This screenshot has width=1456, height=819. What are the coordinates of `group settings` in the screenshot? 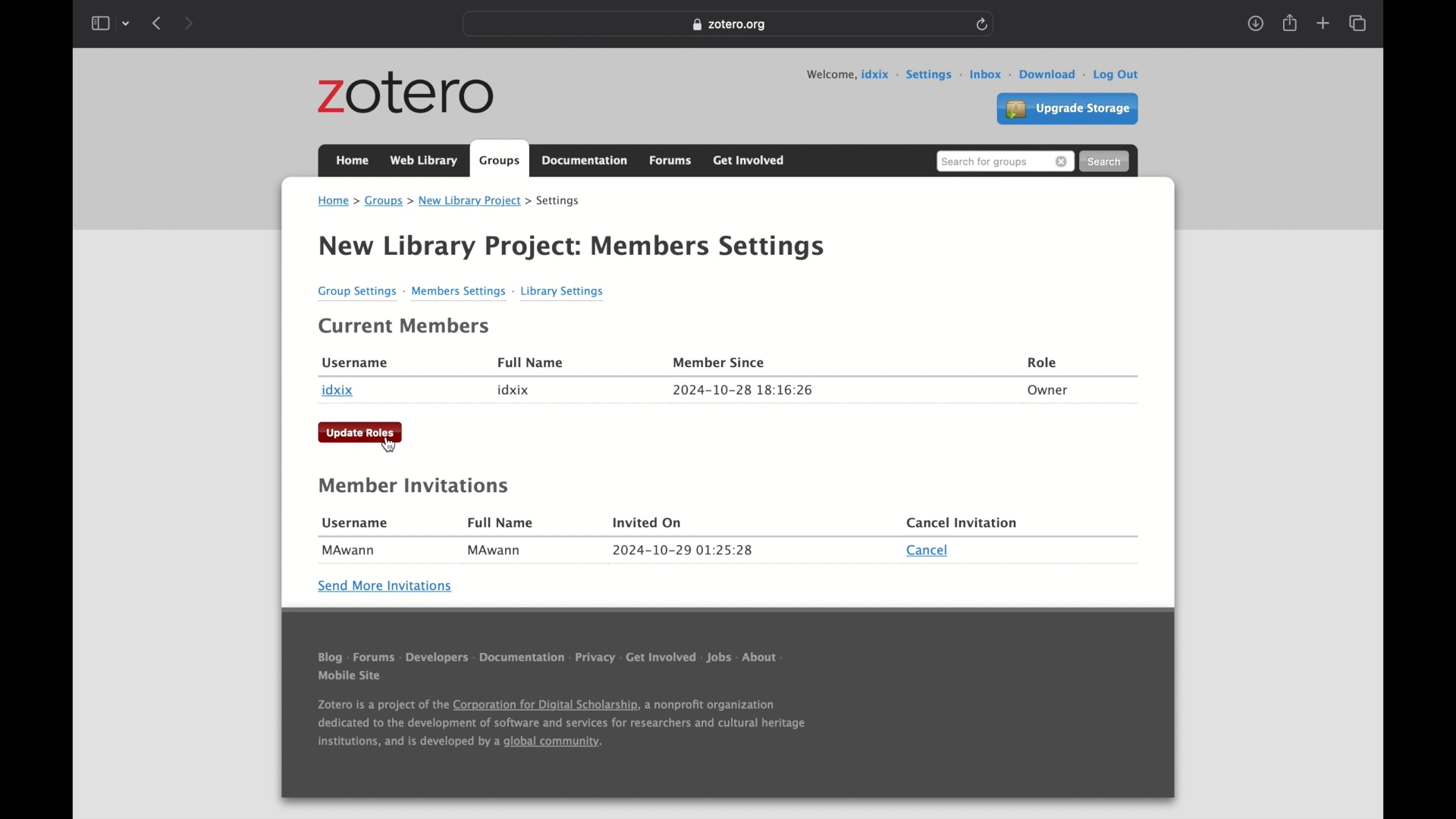 It's located at (360, 291).